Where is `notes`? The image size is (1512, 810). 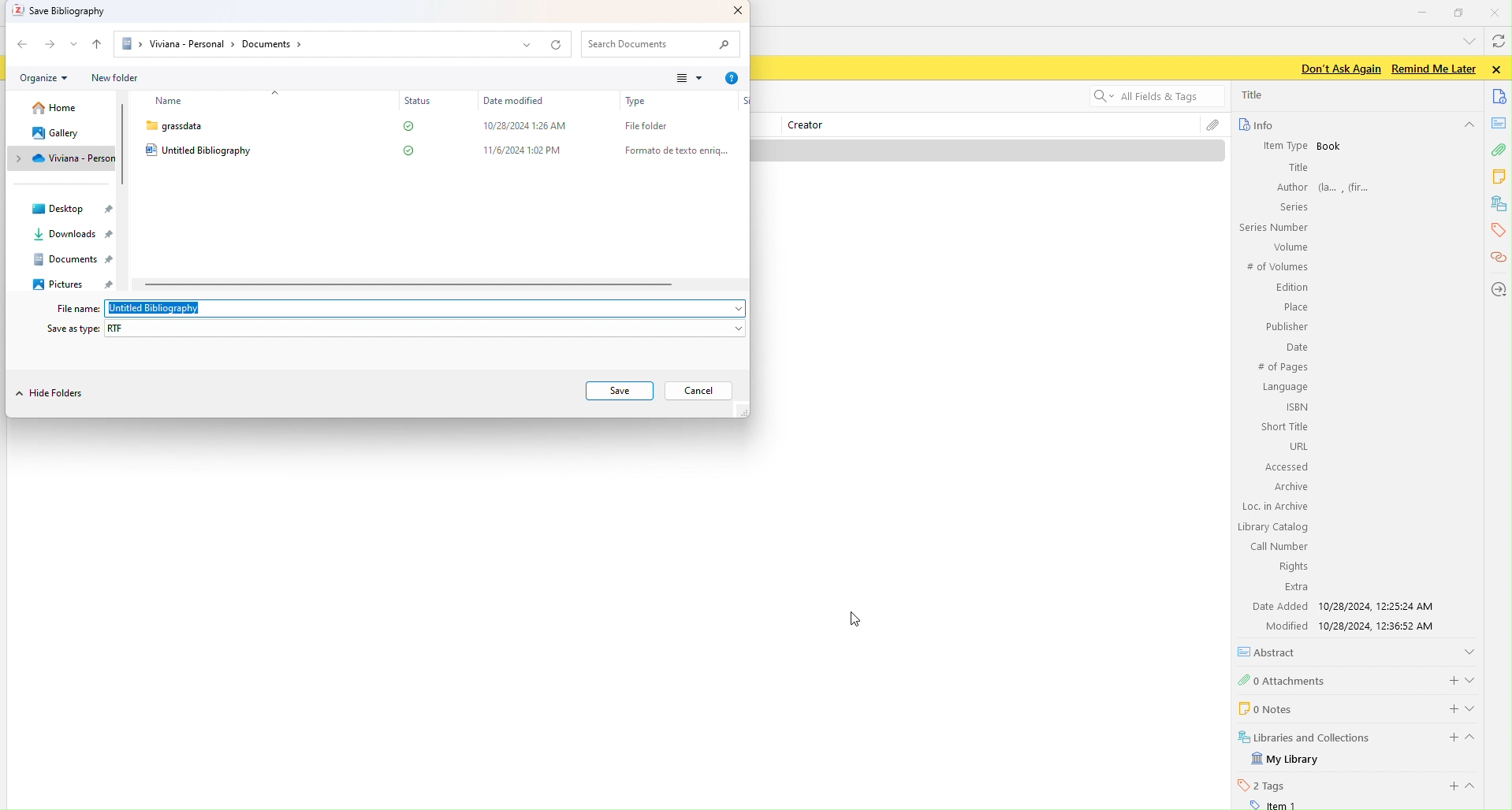
notes is located at coordinates (1500, 123).